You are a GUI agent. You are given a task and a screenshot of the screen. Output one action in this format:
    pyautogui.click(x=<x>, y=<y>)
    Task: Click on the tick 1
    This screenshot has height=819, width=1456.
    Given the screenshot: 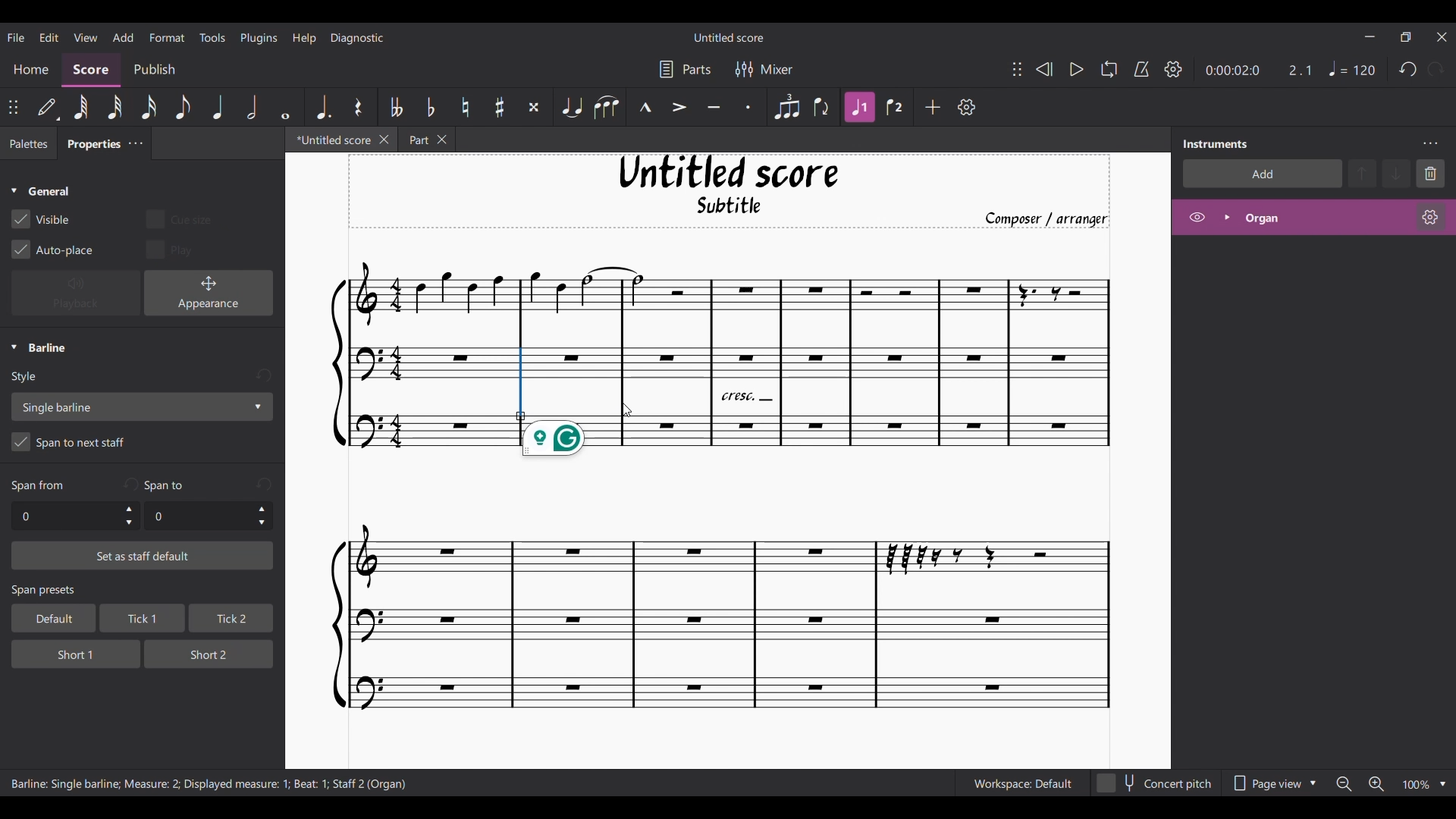 What is the action you would take?
    pyautogui.click(x=140, y=620)
    